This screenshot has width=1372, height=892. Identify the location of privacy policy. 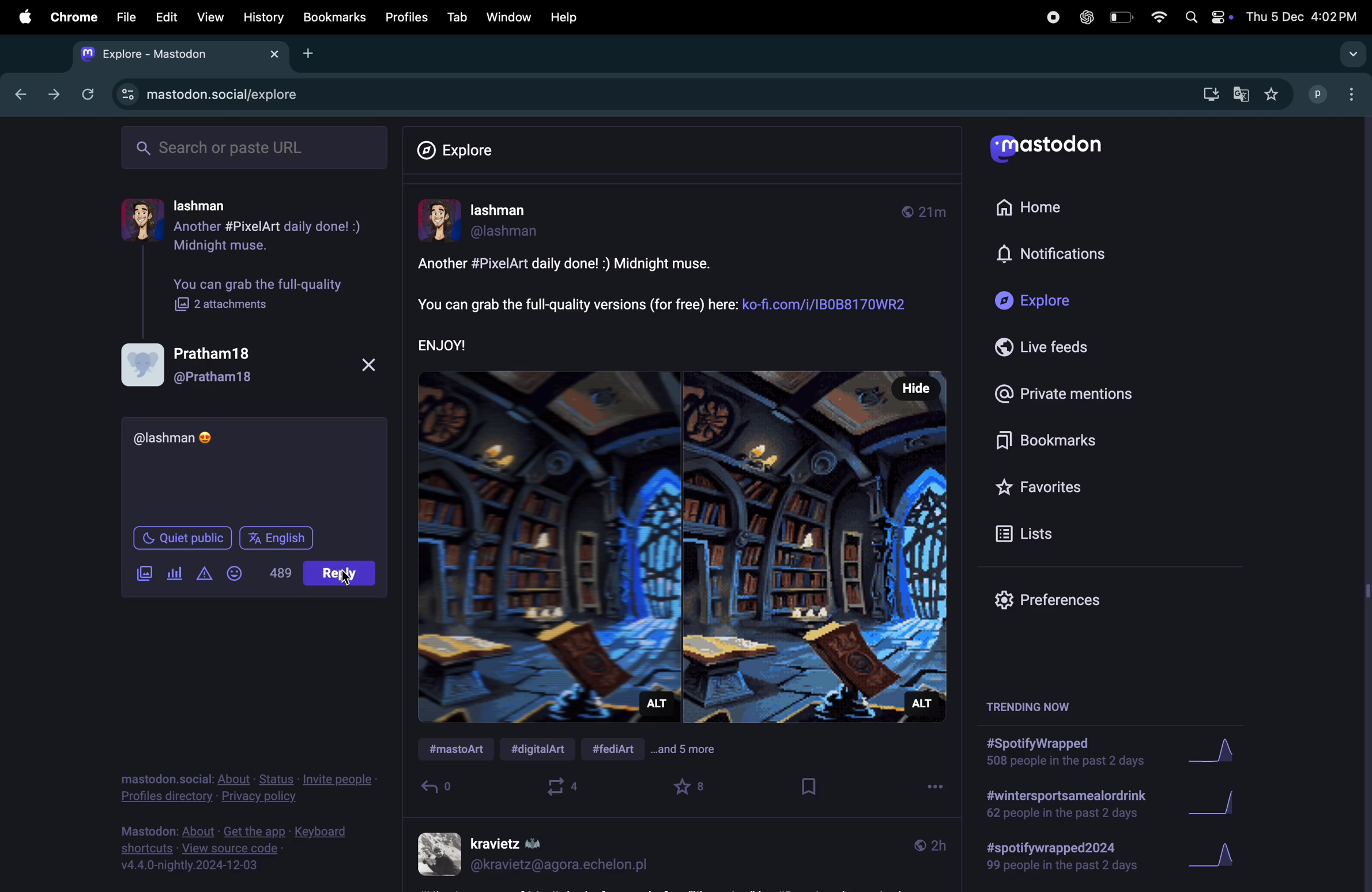
(250, 788).